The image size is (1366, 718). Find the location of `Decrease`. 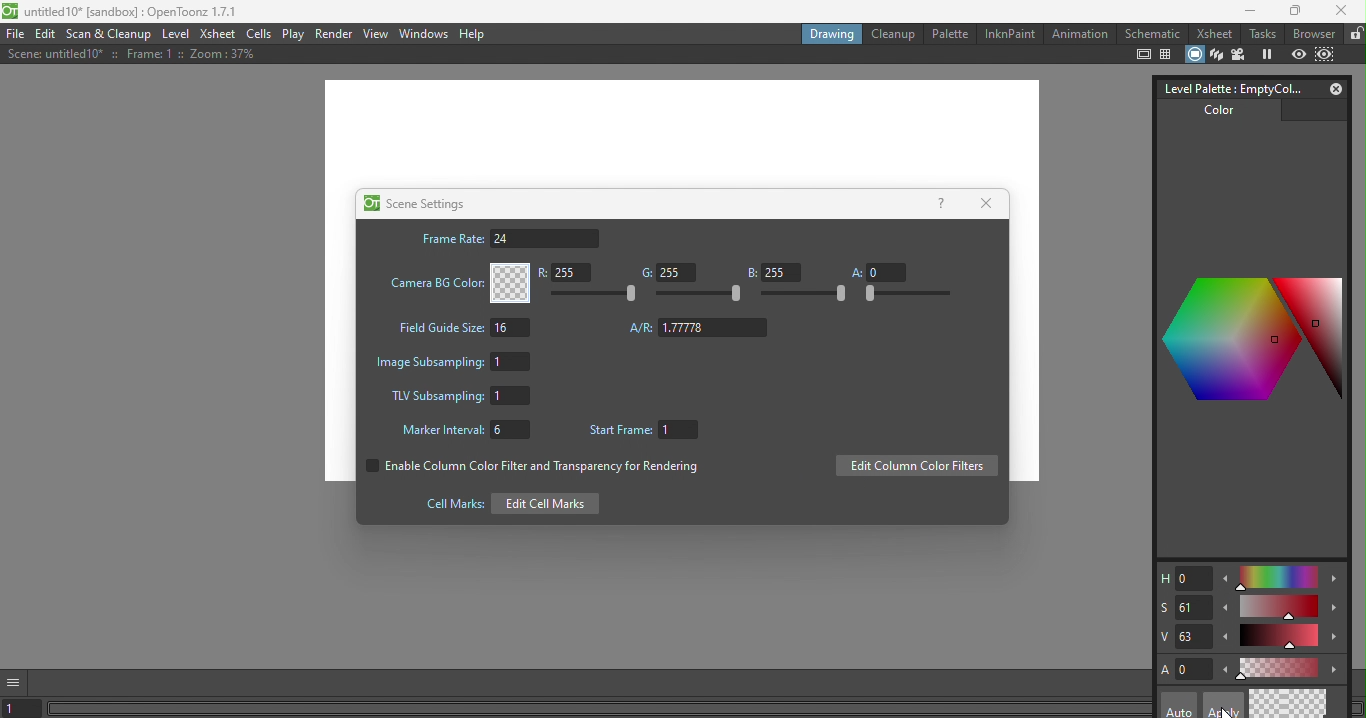

Decrease is located at coordinates (1225, 672).